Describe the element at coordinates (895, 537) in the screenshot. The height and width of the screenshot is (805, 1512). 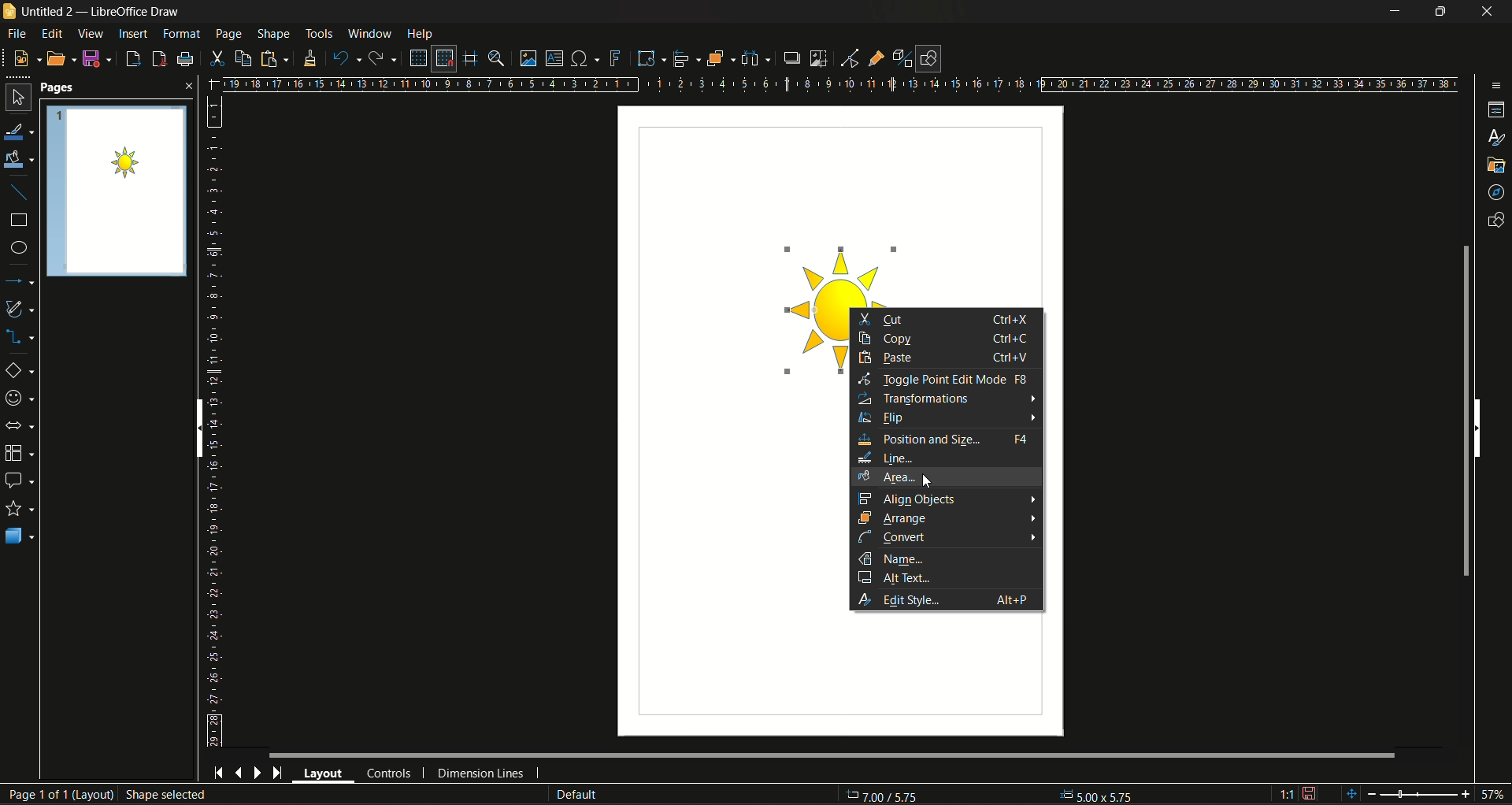
I see `convert` at that location.